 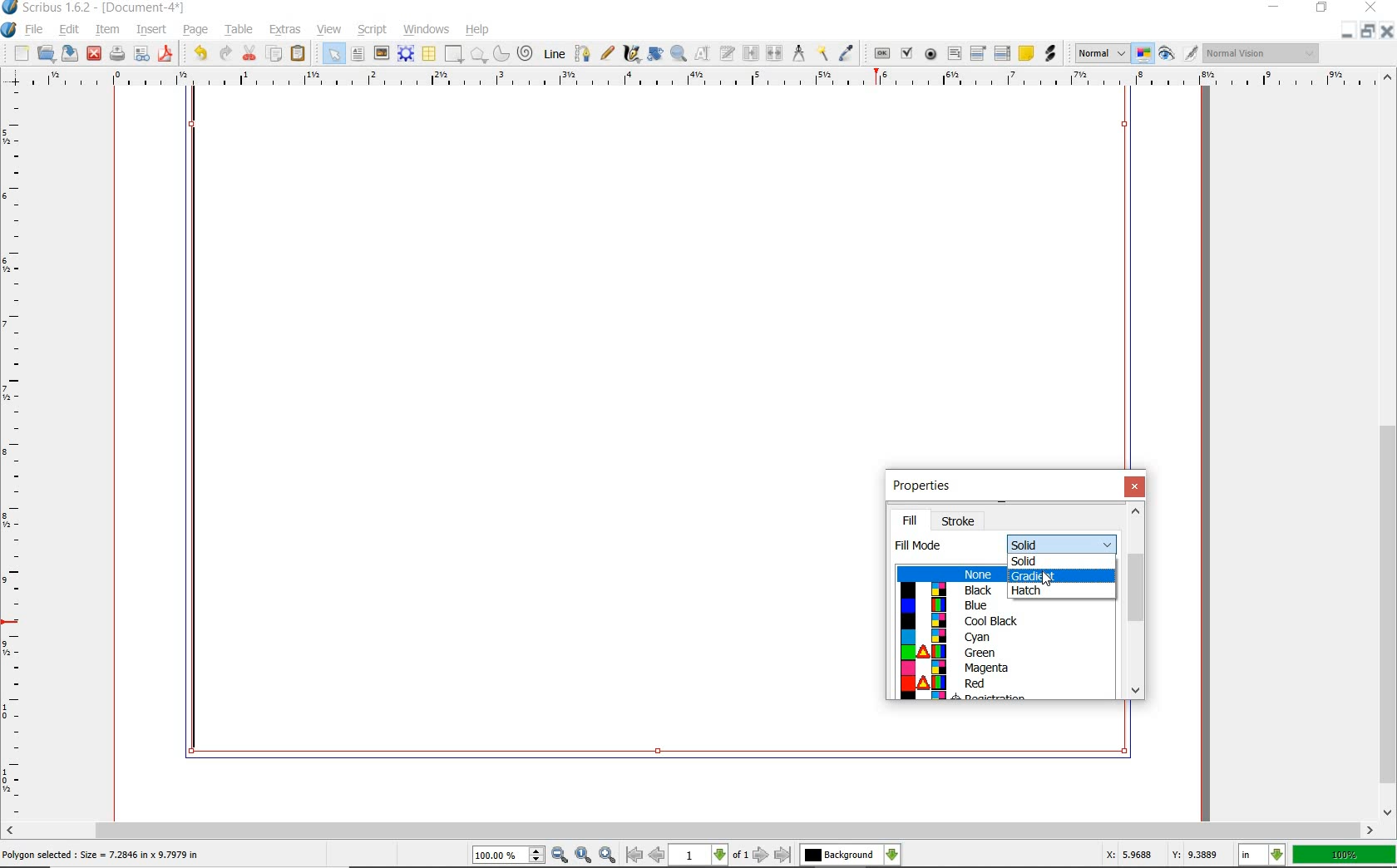 What do you see at coordinates (116, 54) in the screenshot?
I see `print` at bounding box center [116, 54].